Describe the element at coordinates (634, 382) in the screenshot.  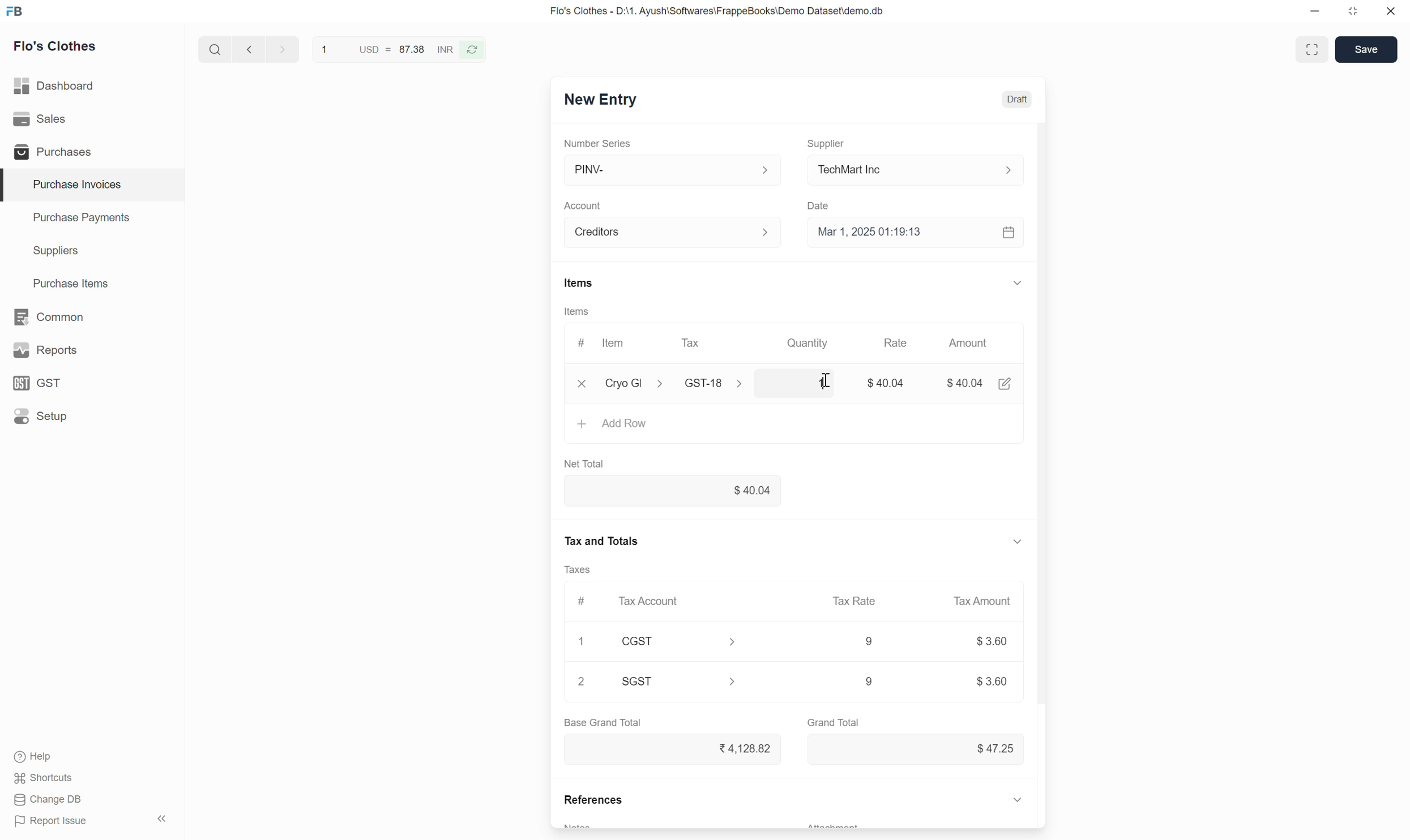
I see `Cryo GI` at that location.